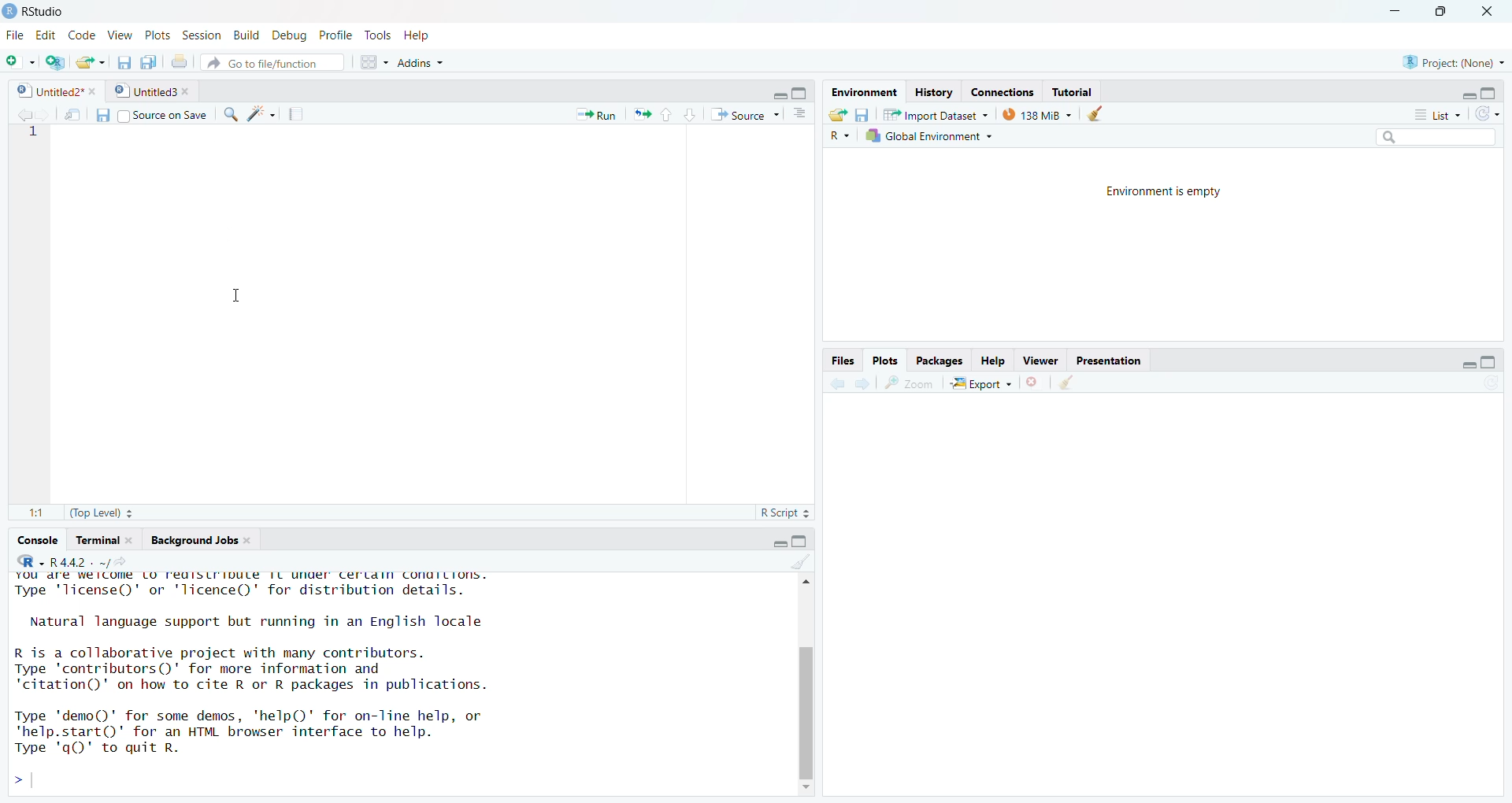 The width and height of the screenshot is (1512, 803). I want to click on Debug, so click(291, 34).